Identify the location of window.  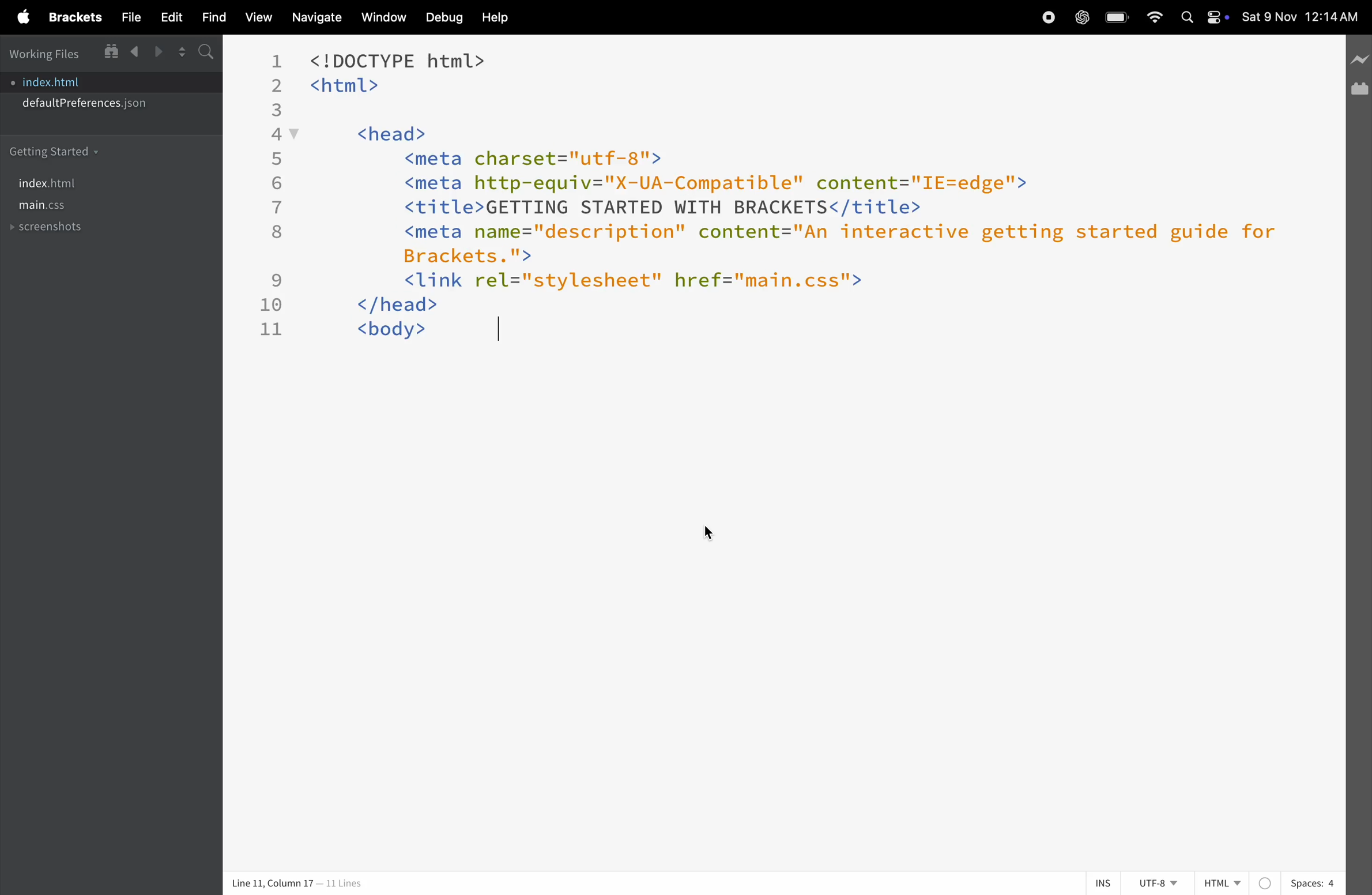
(112, 52).